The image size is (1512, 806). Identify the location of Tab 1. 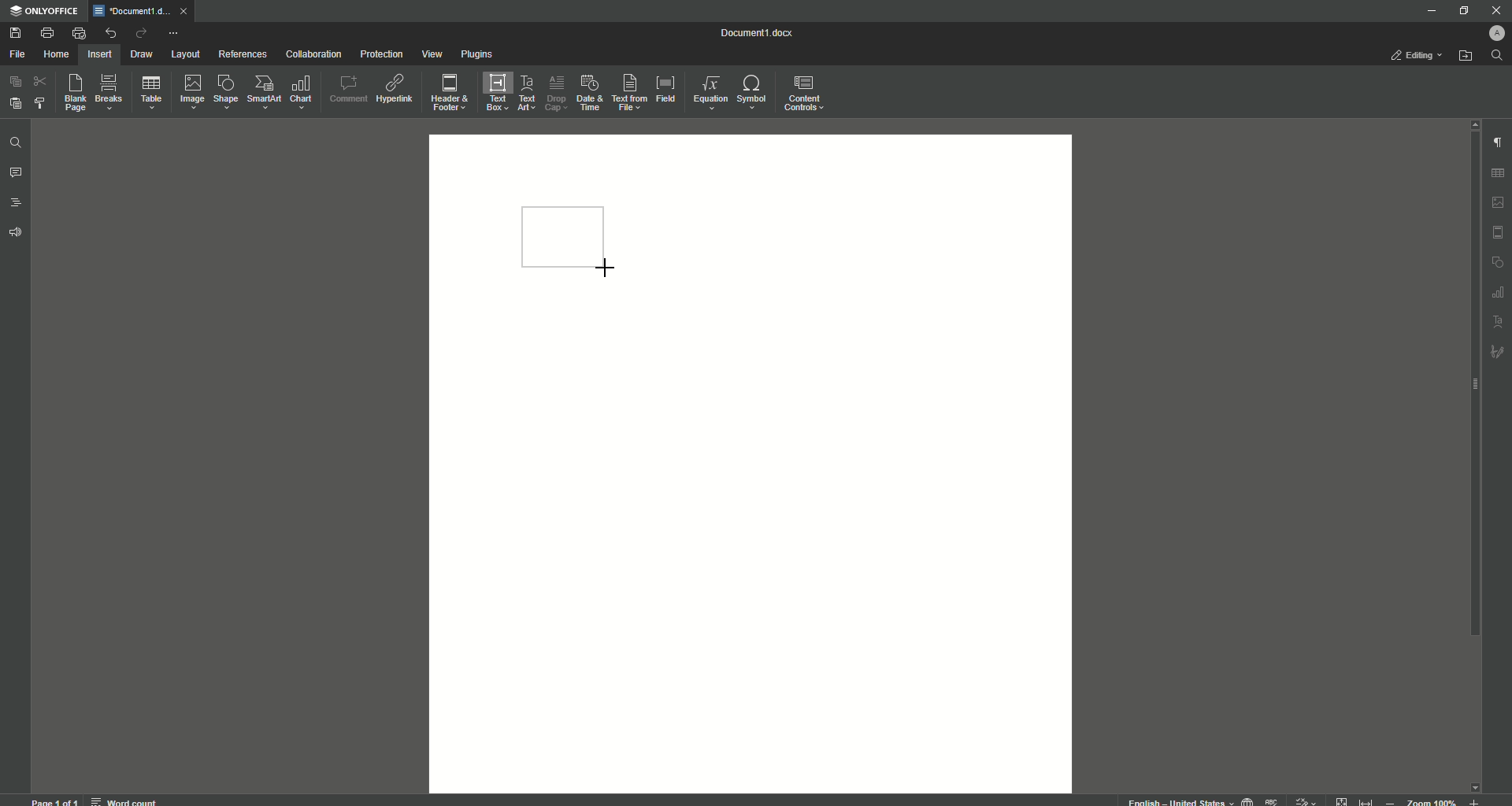
(134, 11).